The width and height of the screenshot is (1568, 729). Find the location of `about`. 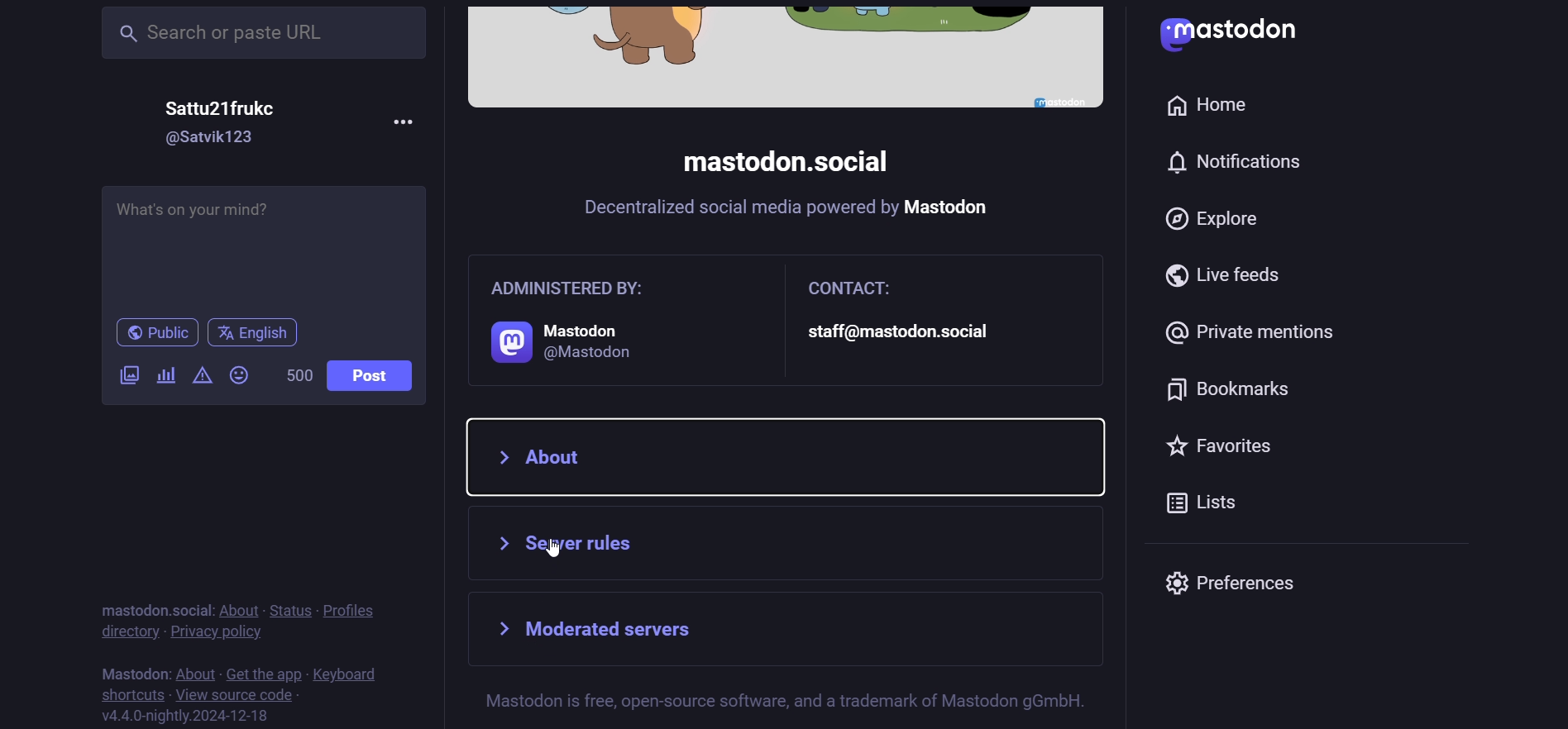

about is located at coordinates (237, 610).